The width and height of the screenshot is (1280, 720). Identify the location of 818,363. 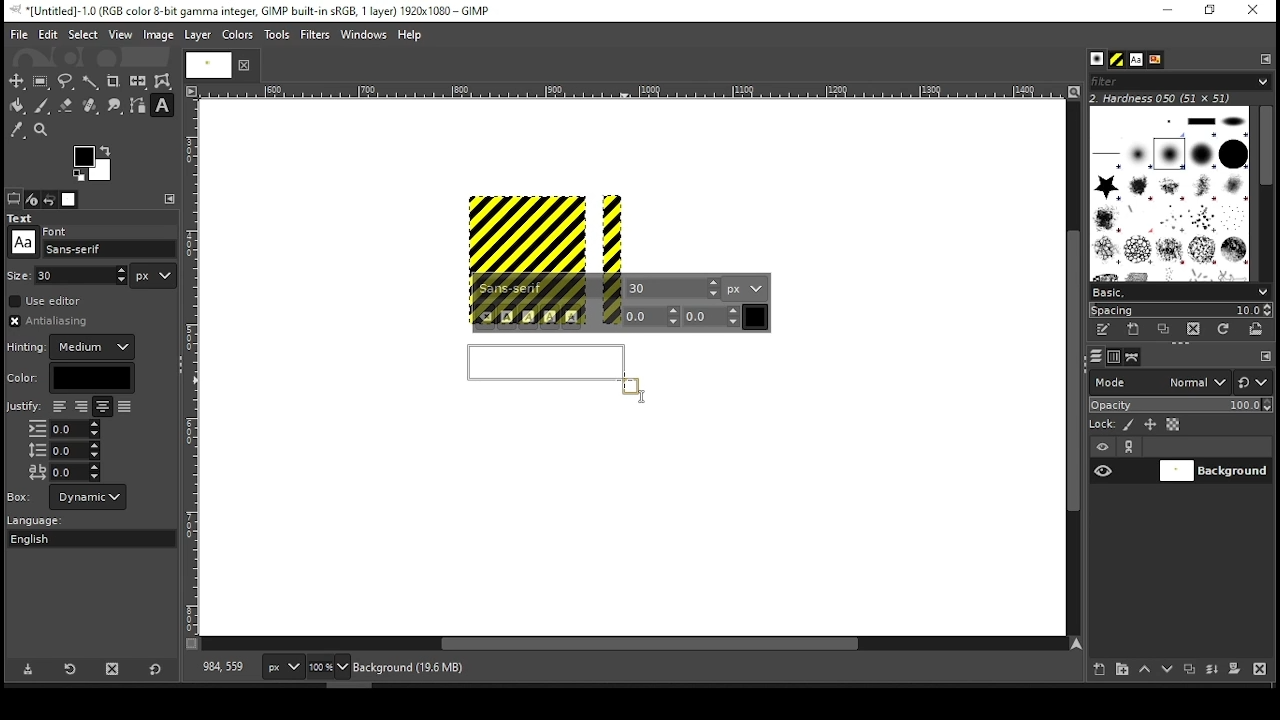
(221, 667).